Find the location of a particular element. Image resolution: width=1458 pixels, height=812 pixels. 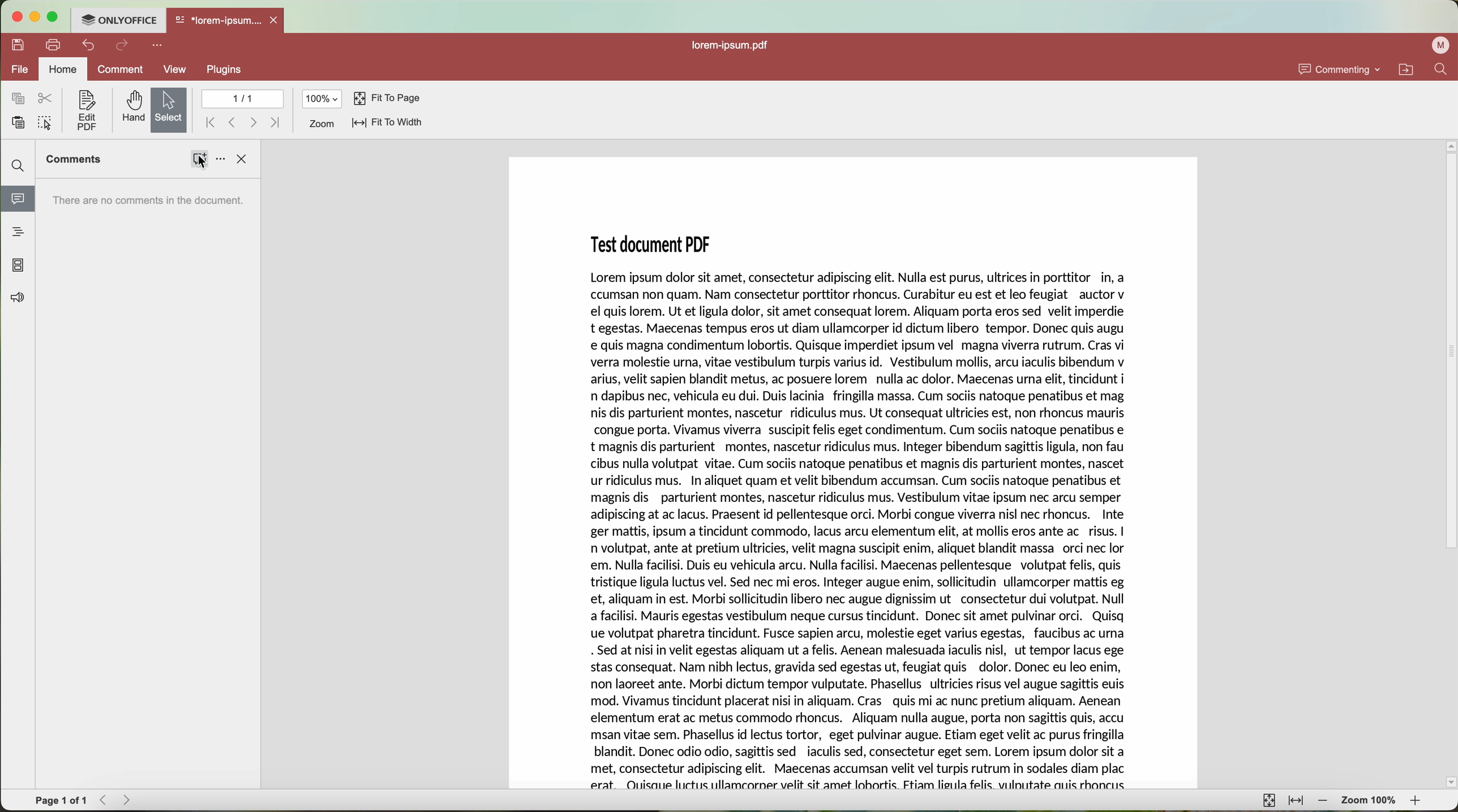

paste is located at coordinates (19, 122).